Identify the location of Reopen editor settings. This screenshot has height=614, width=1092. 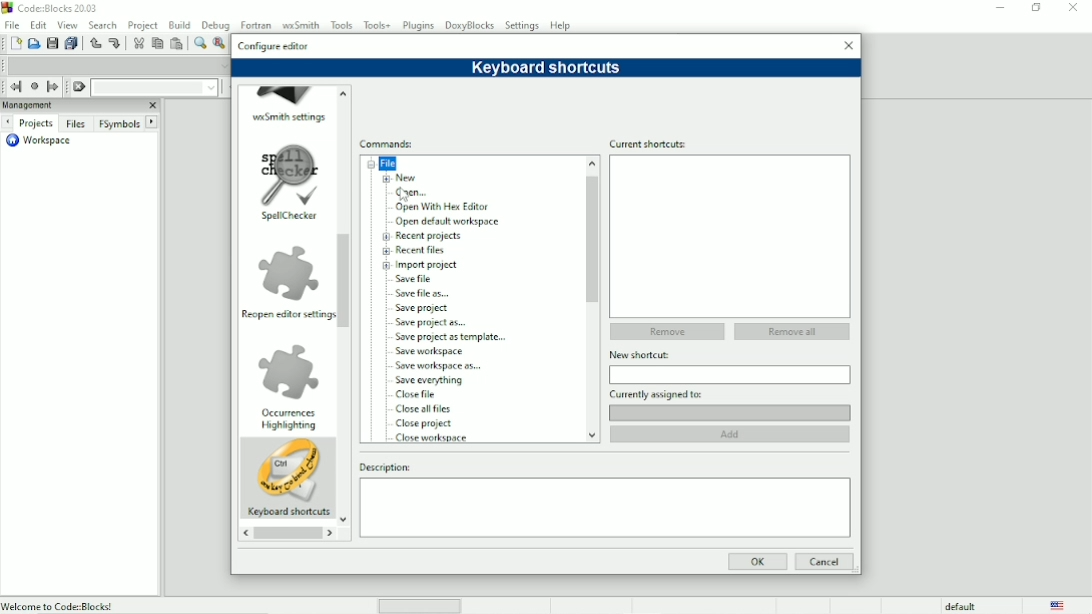
(287, 314).